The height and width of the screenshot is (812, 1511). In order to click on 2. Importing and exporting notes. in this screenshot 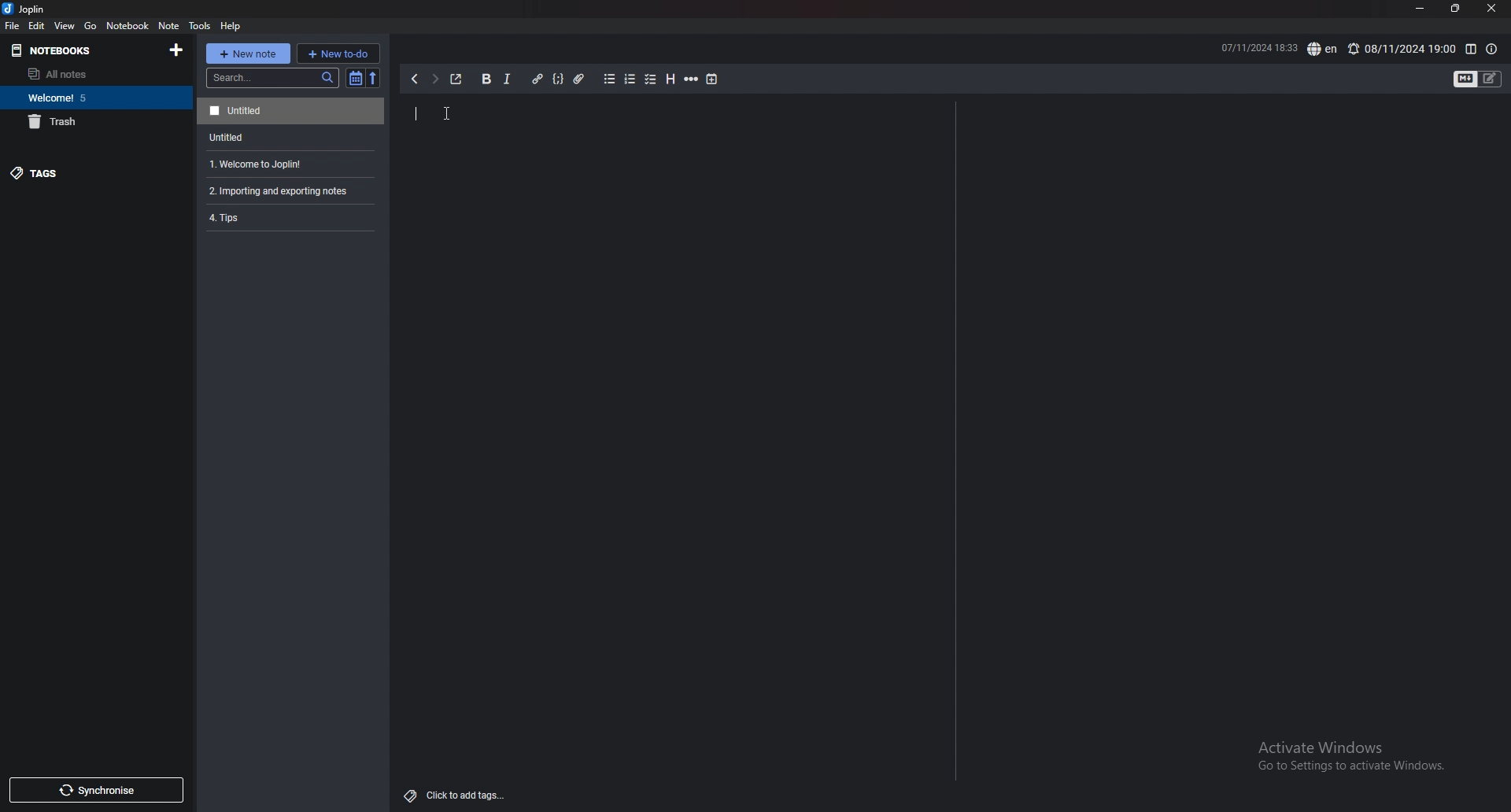, I will do `click(289, 189)`.